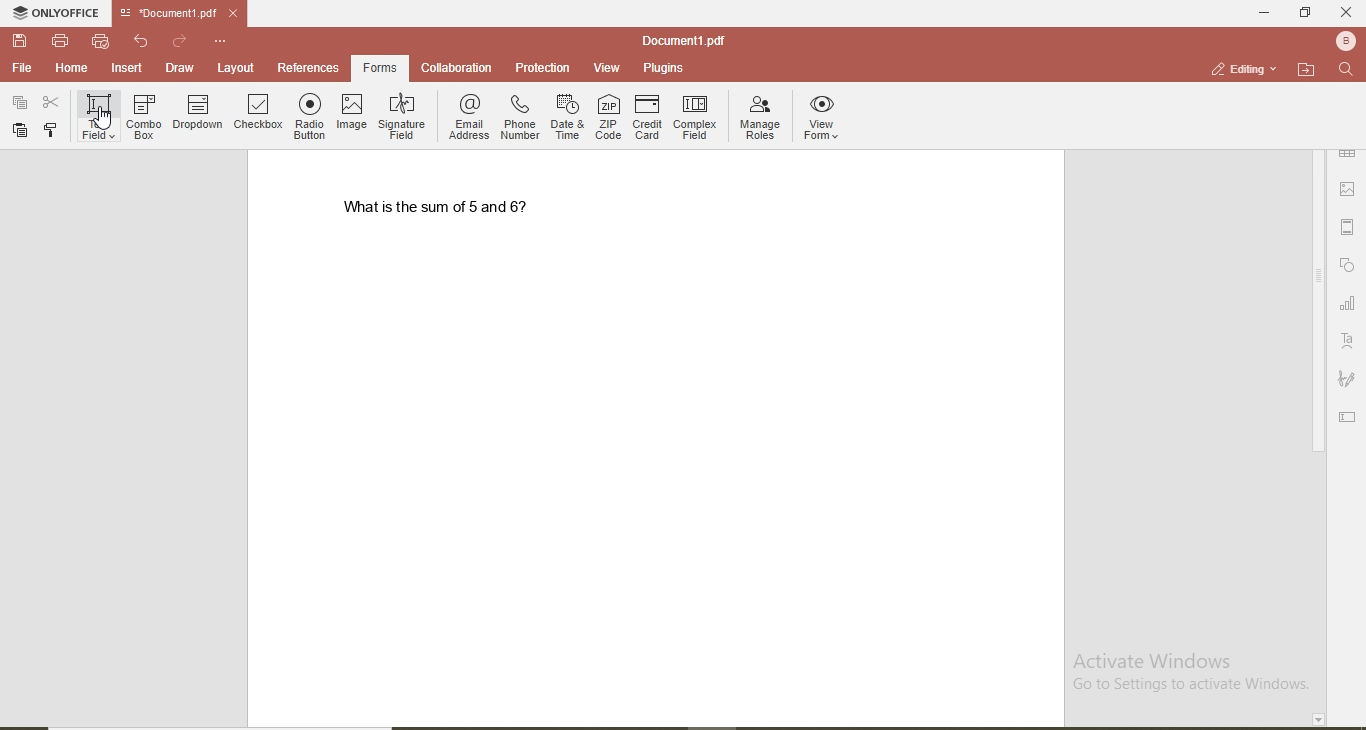  I want to click on paste, so click(19, 130).